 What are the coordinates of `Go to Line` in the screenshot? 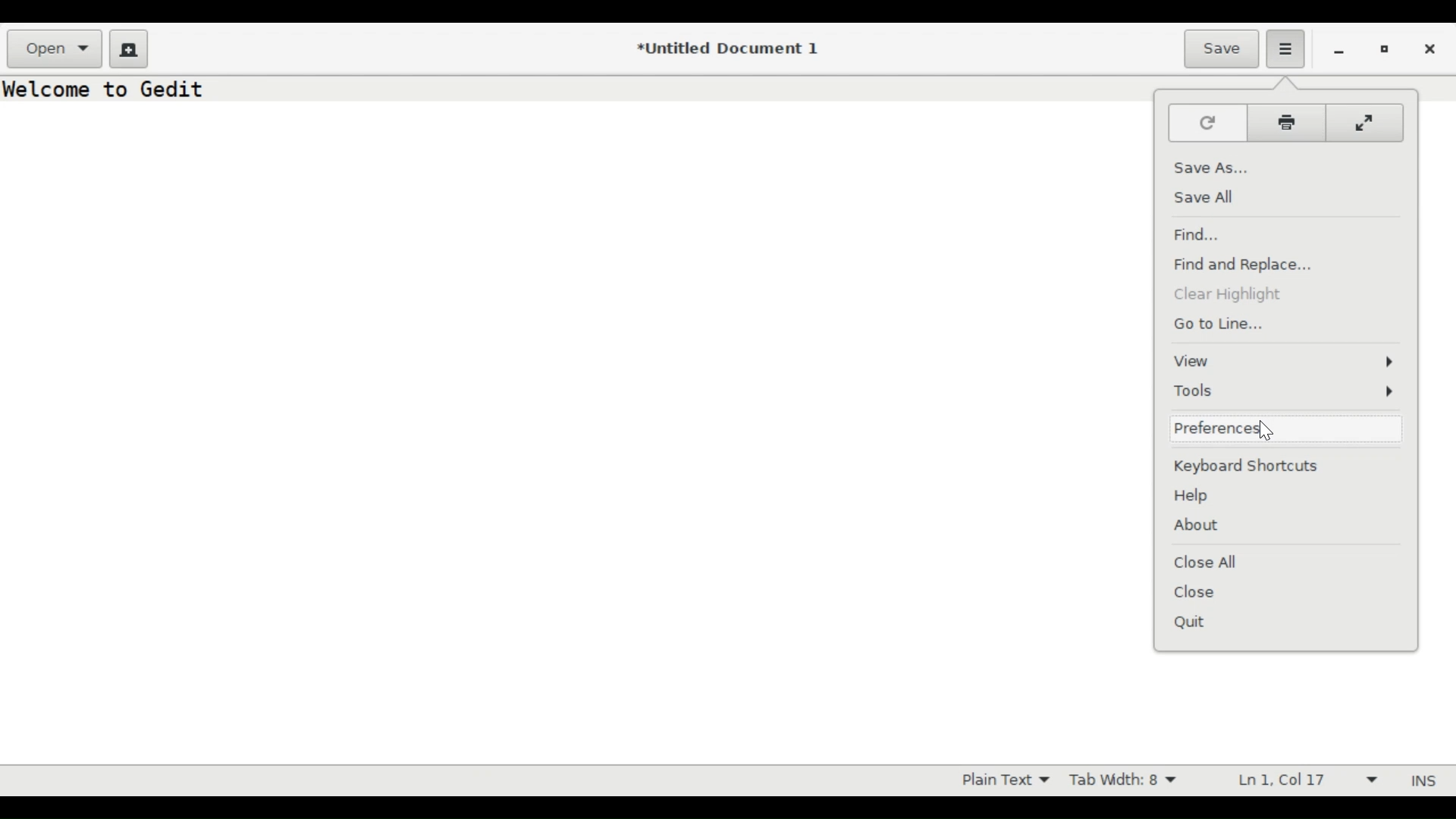 It's located at (1221, 324).